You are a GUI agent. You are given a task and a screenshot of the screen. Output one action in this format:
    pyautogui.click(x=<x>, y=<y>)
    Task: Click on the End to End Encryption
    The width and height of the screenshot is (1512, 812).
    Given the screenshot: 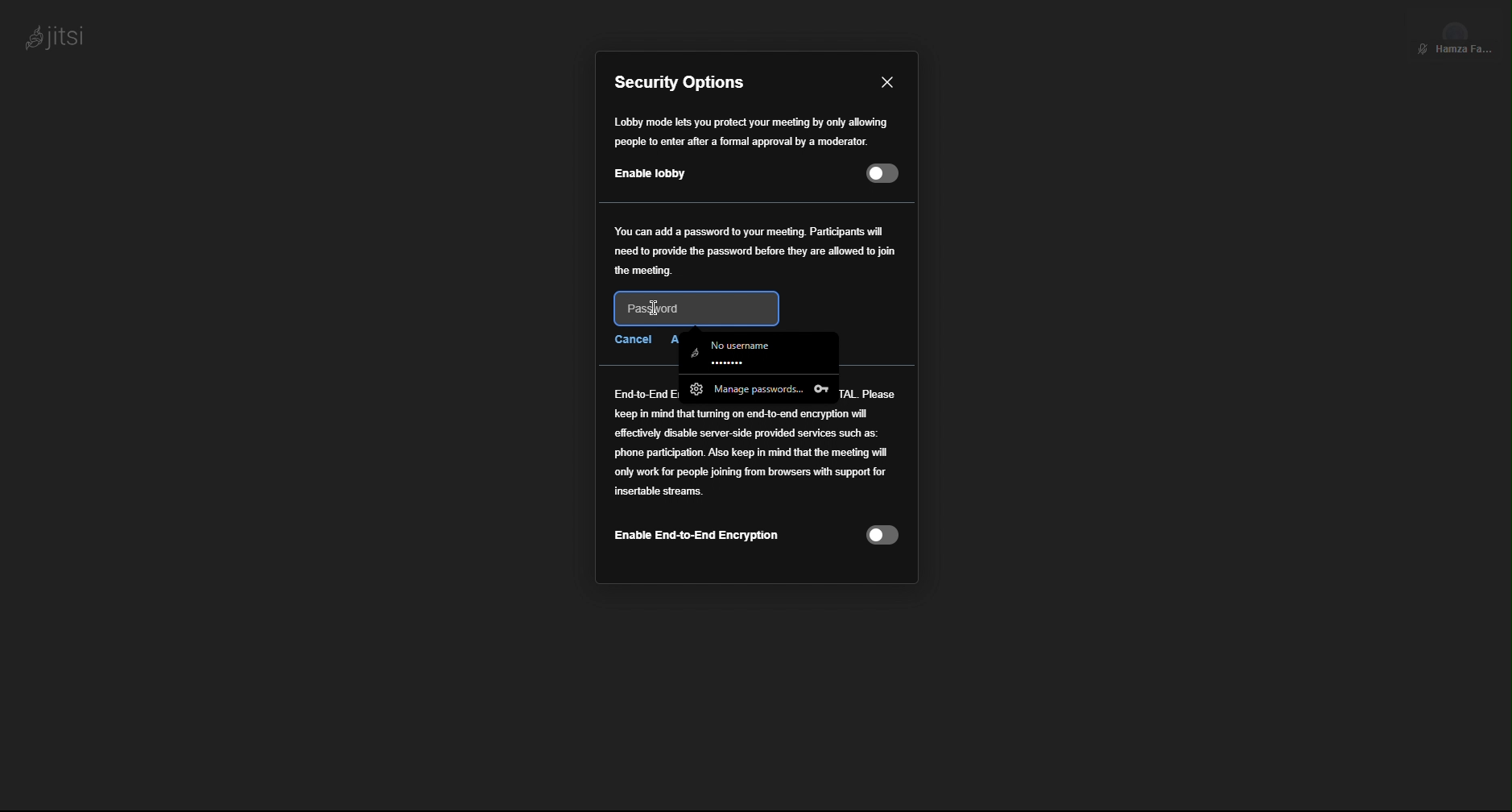 What is the action you would take?
    pyautogui.click(x=754, y=477)
    